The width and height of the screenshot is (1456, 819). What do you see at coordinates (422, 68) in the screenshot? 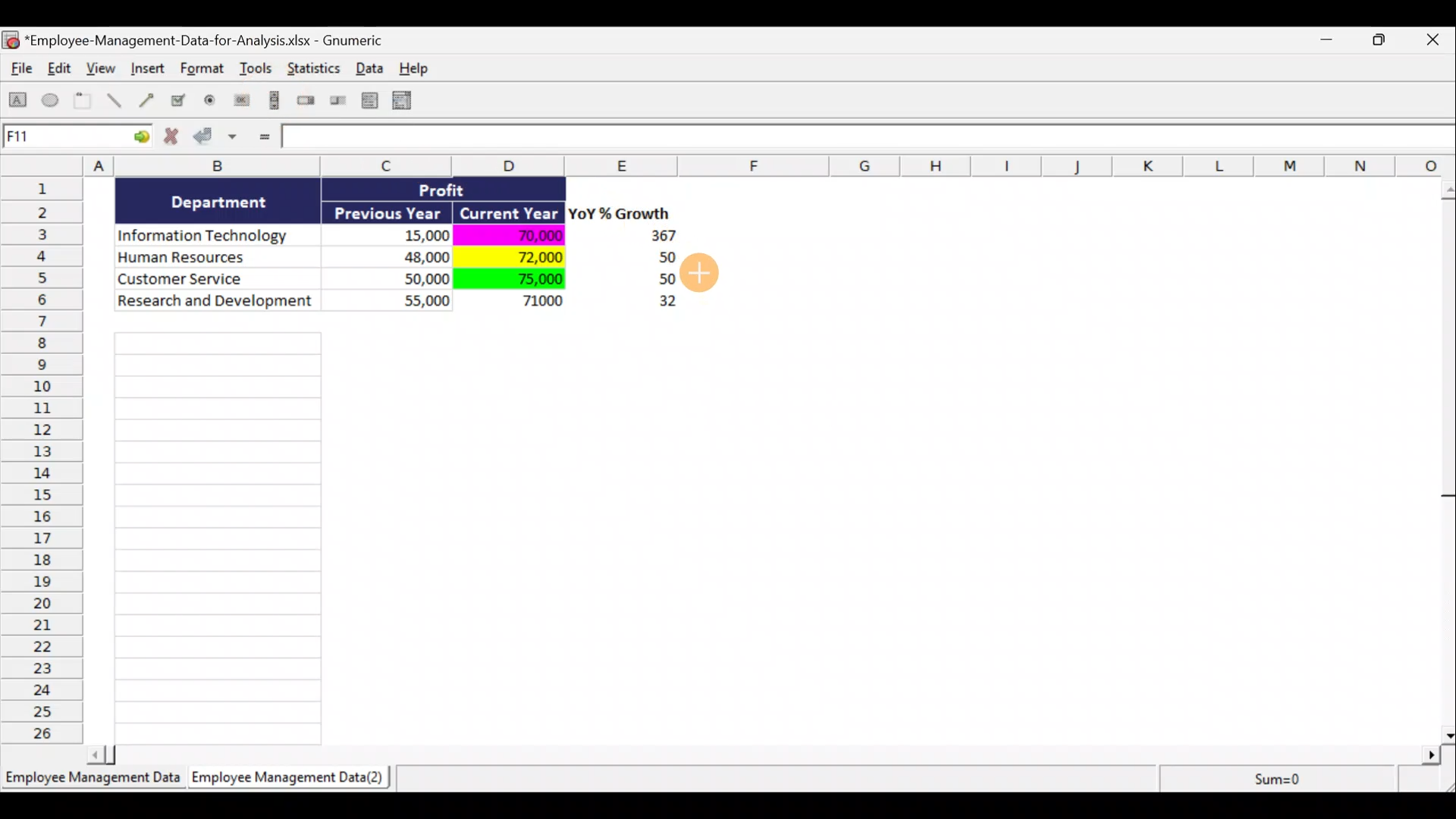
I see `Help` at bounding box center [422, 68].